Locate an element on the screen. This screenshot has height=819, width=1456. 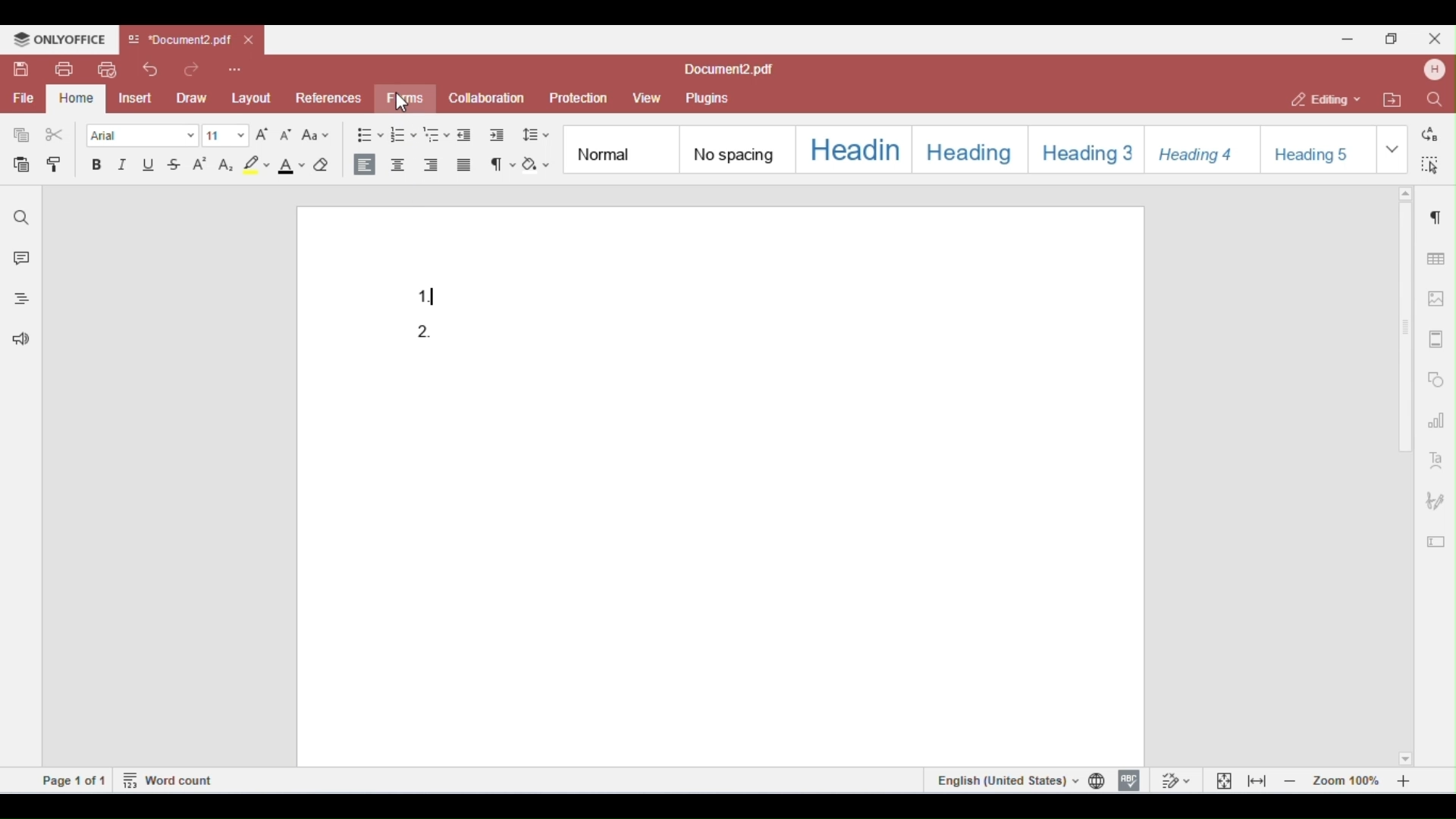
heading is located at coordinates (851, 147).